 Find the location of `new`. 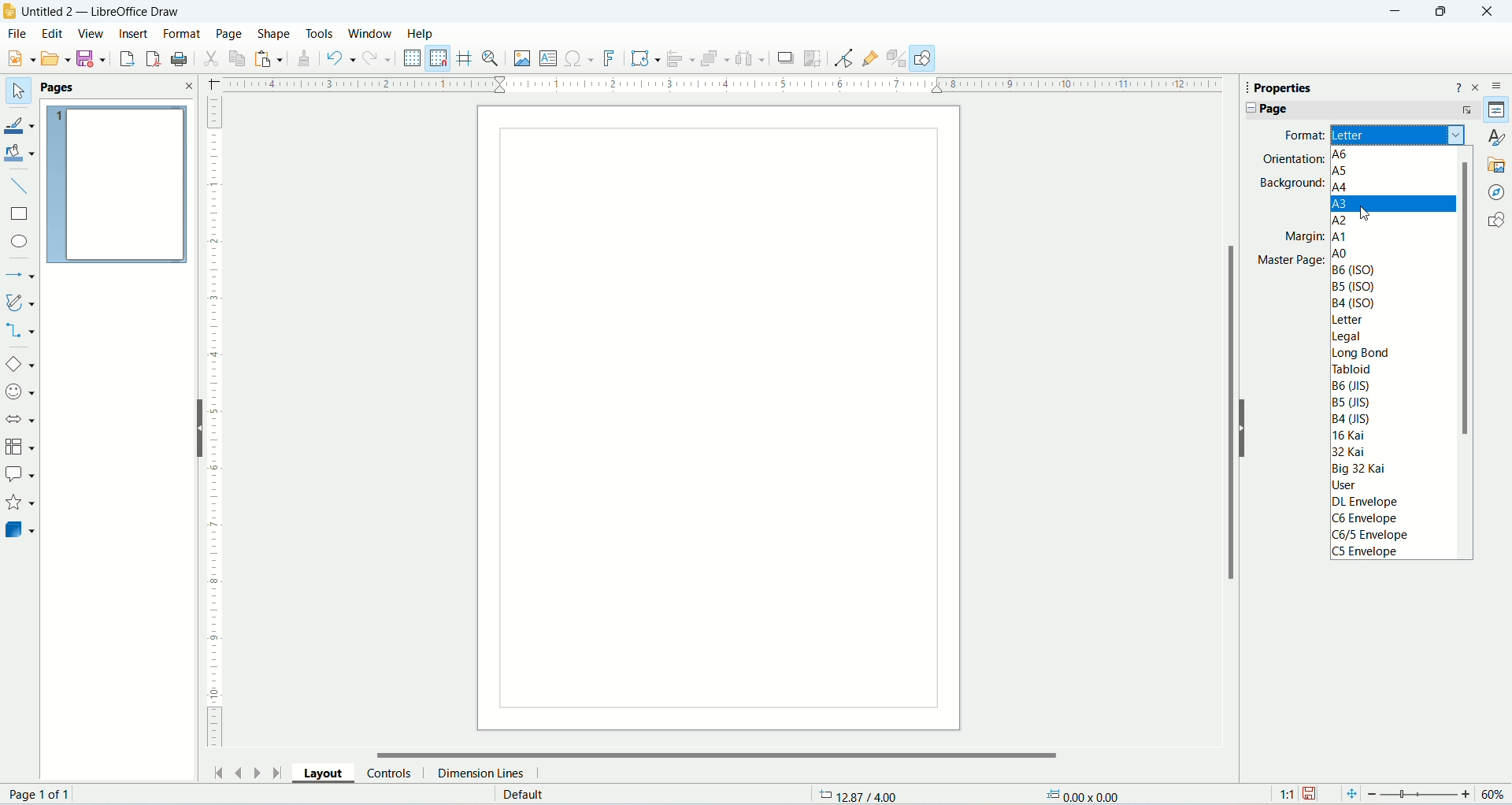

new is located at coordinates (24, 58).